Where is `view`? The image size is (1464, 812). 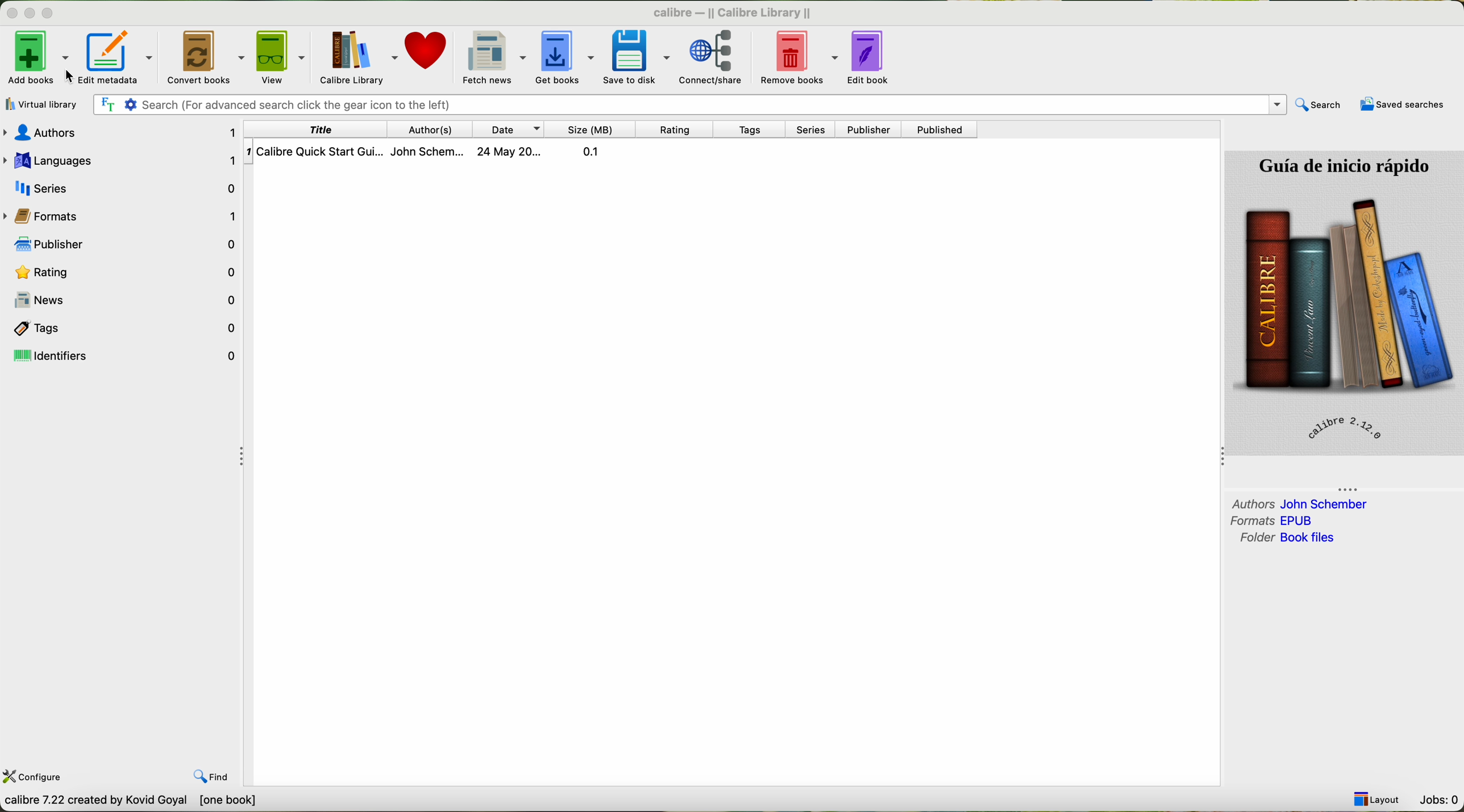
view is located at coordinates (285, 56).